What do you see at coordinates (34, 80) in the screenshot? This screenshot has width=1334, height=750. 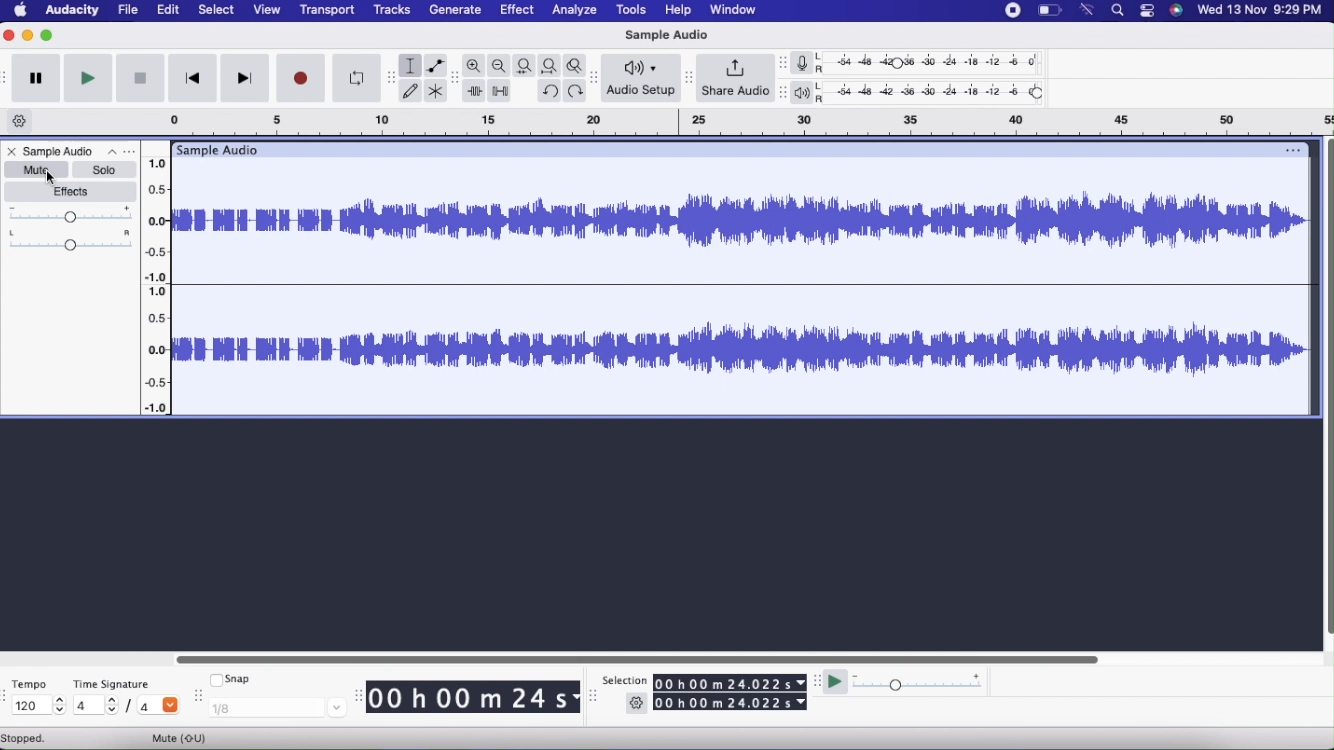 I see `Pause` at bounding box center [34, 80].